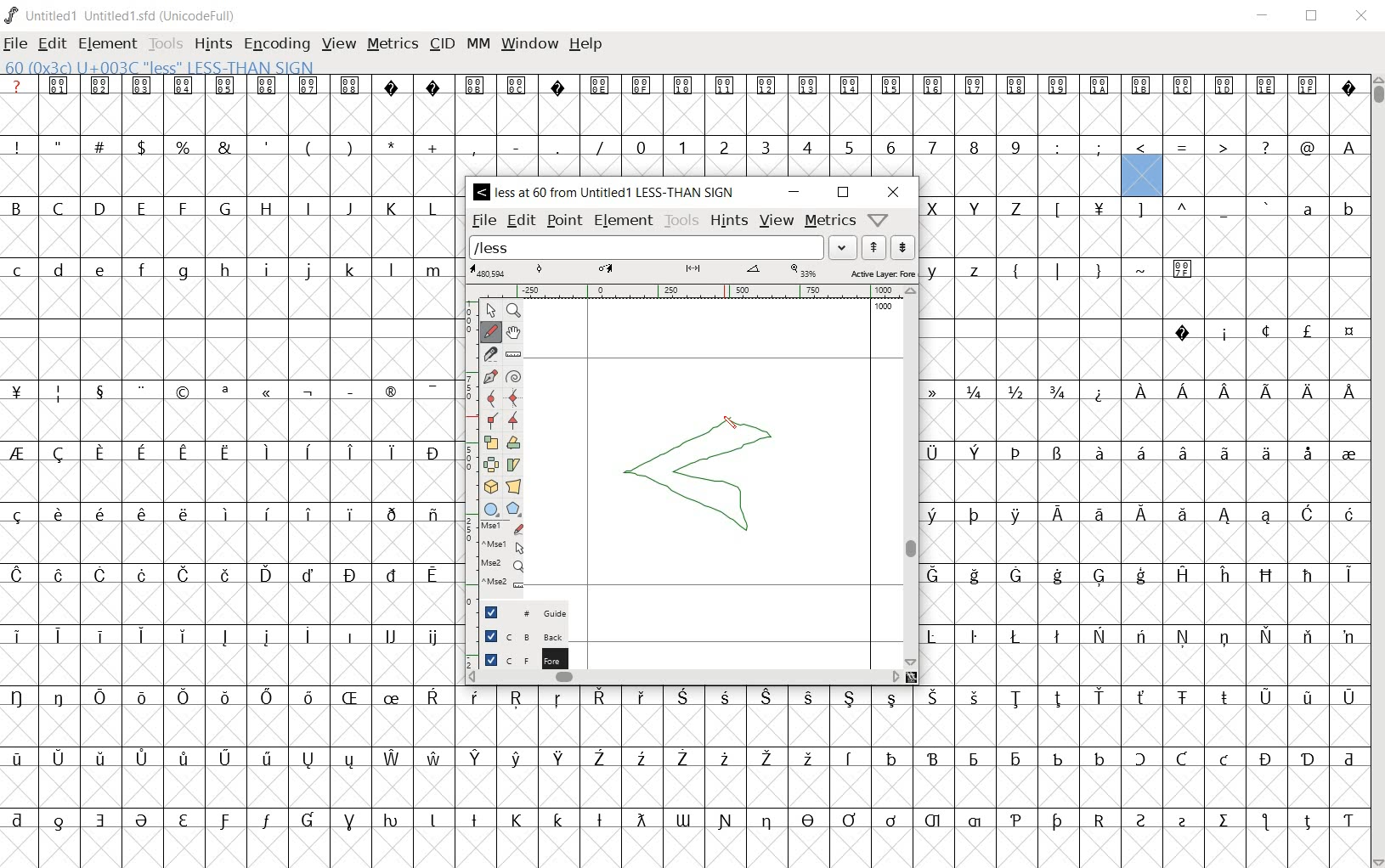 The image size is (1385, 868). Describe the element at coordinates (684, 679) in the screenshot. I see `scrollbar` at that location.